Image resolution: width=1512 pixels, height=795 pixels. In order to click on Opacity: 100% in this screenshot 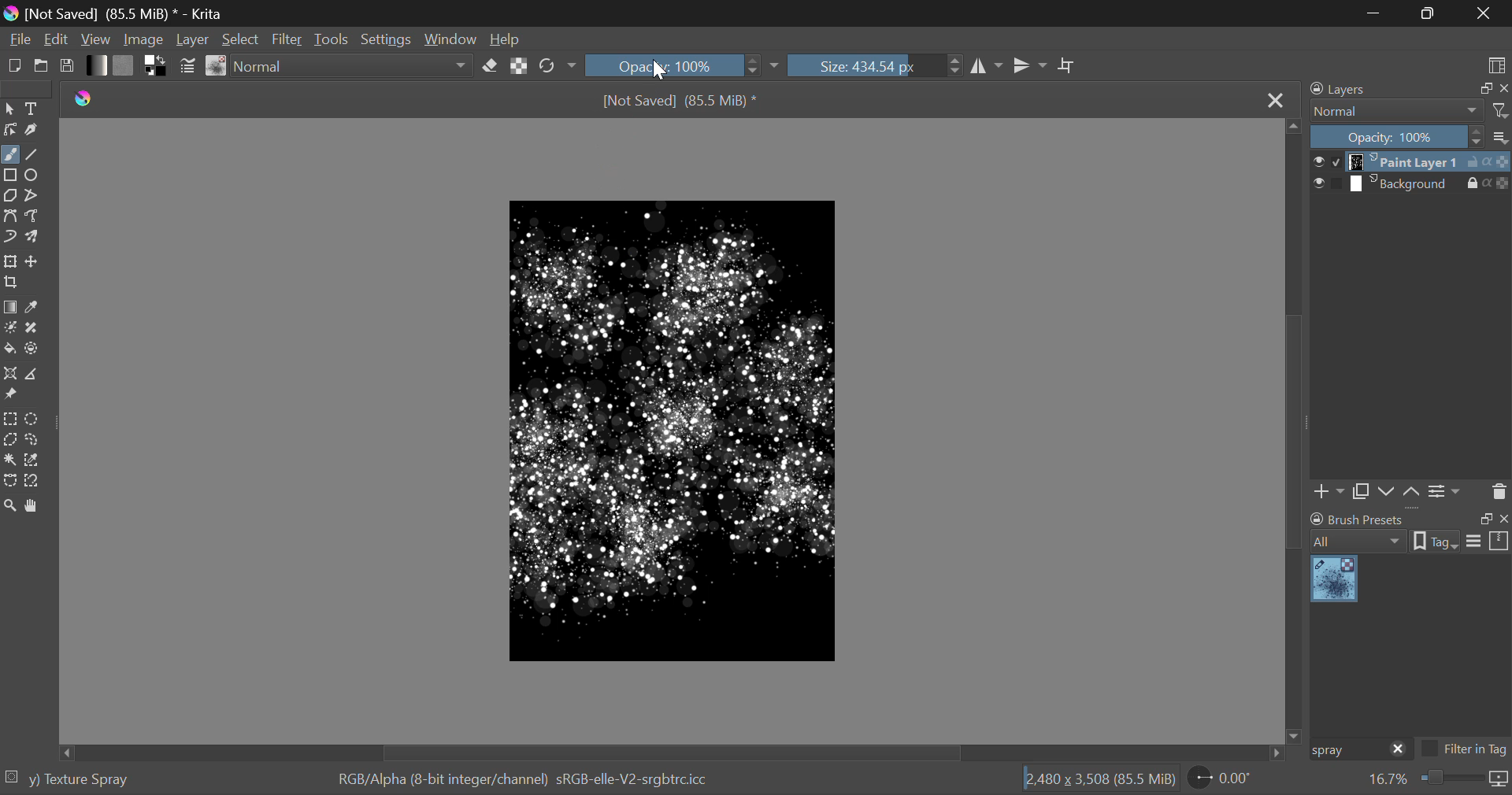, I will do `click(1397, 138)`.